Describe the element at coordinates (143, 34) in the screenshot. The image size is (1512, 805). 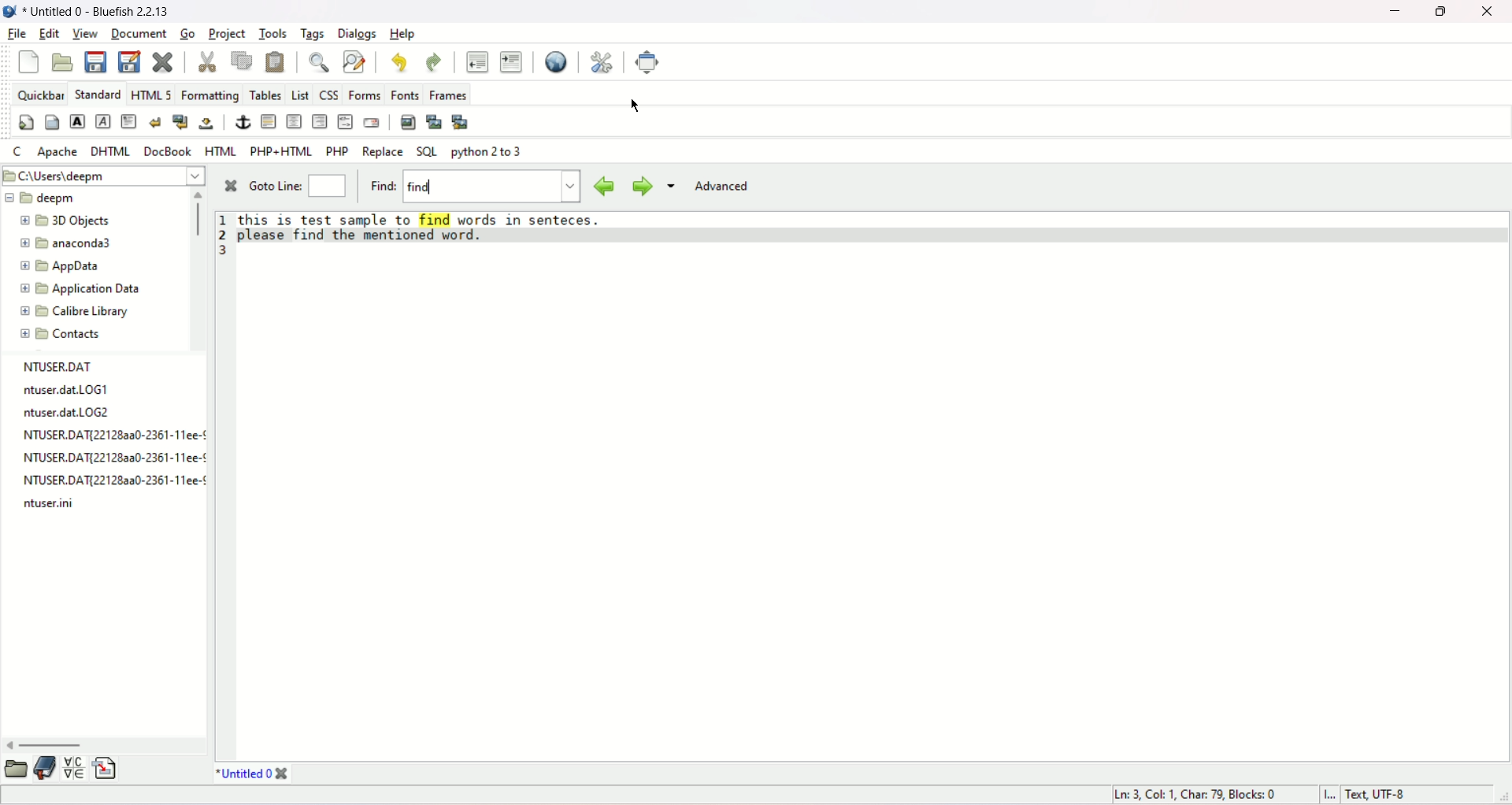
I see `document` at that location.